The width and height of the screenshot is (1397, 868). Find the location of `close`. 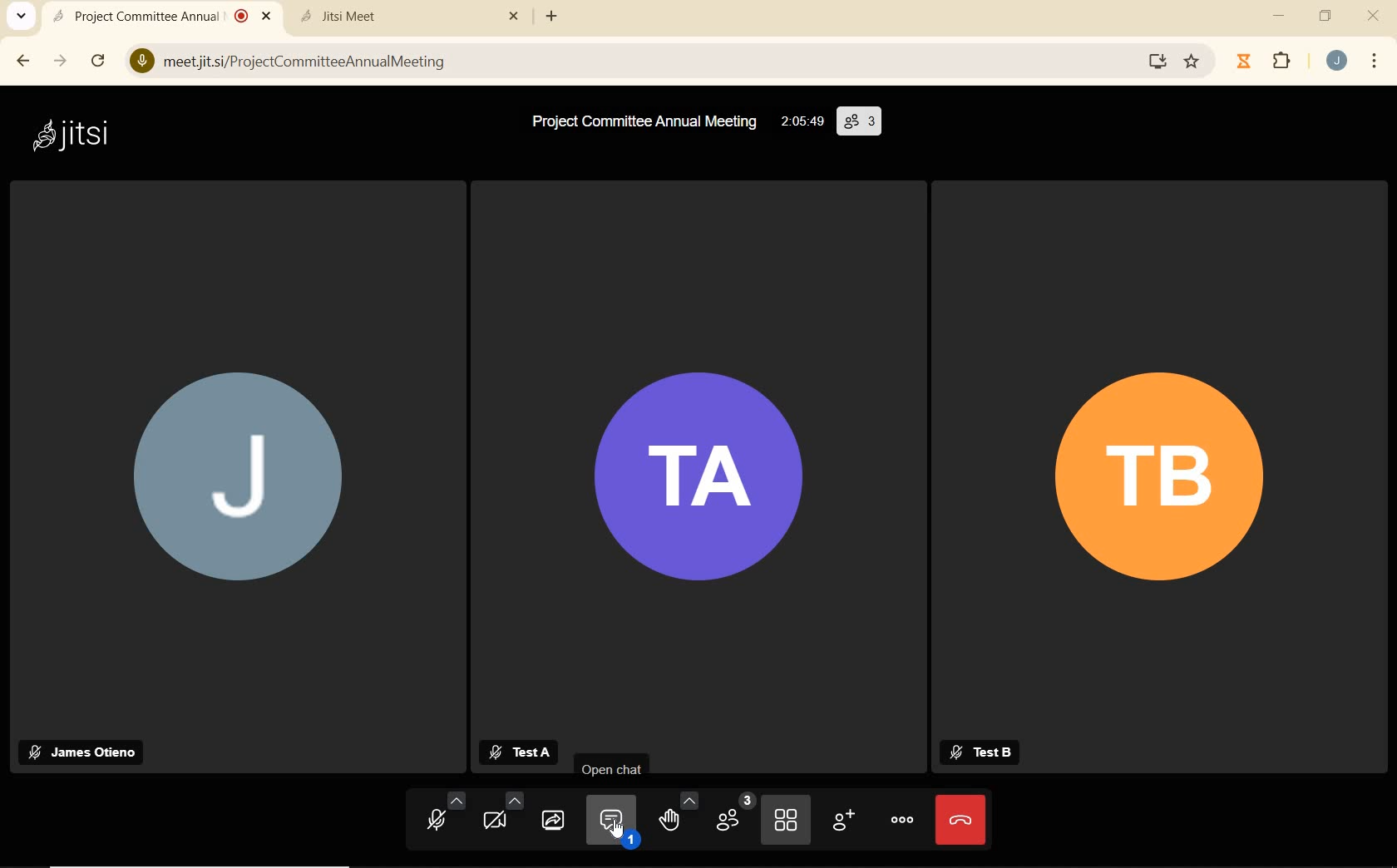

close is located at coordinates (269, 17).